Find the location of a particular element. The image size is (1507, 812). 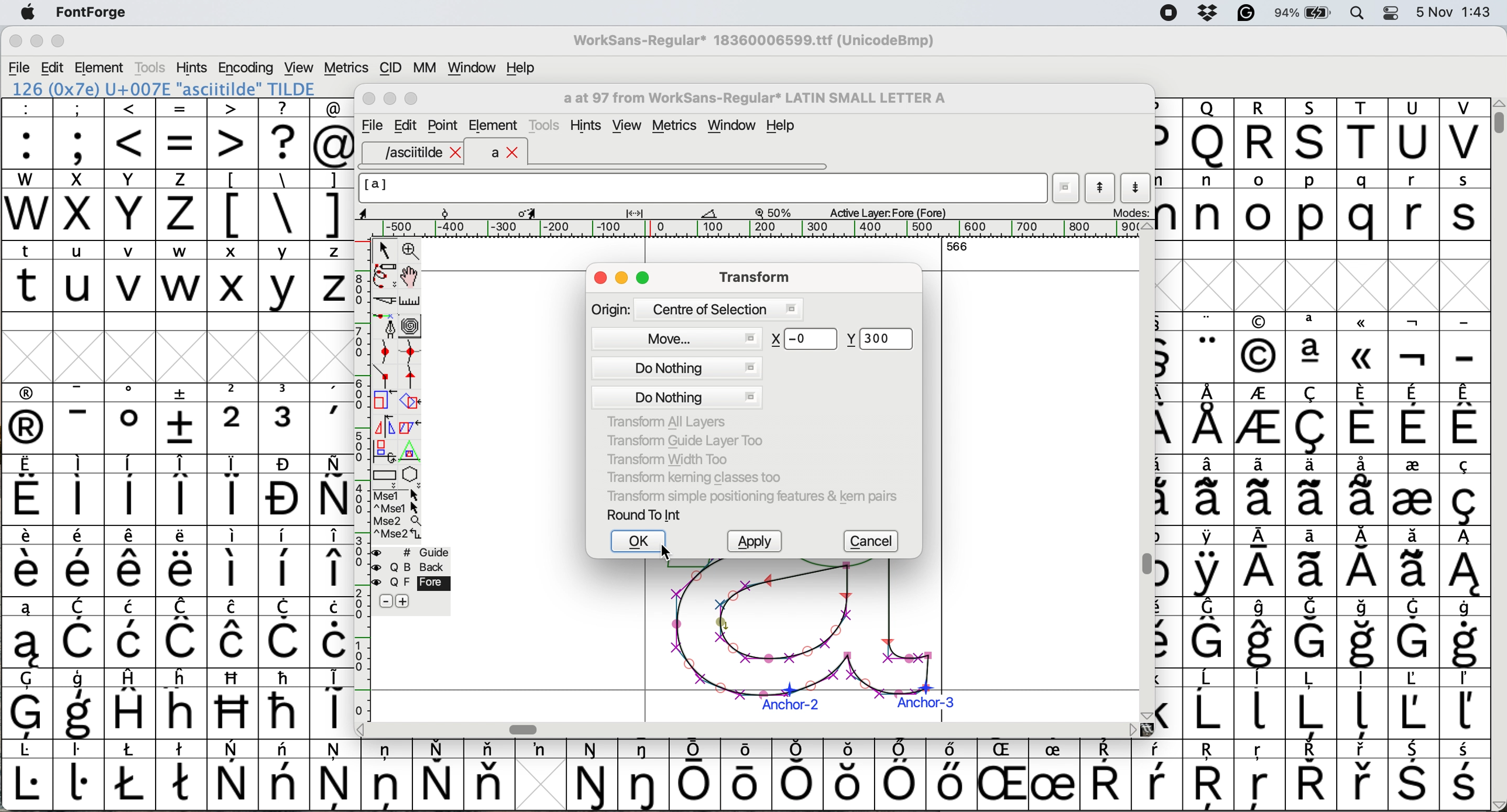

star or polygon is located at coordinates (411, 474).